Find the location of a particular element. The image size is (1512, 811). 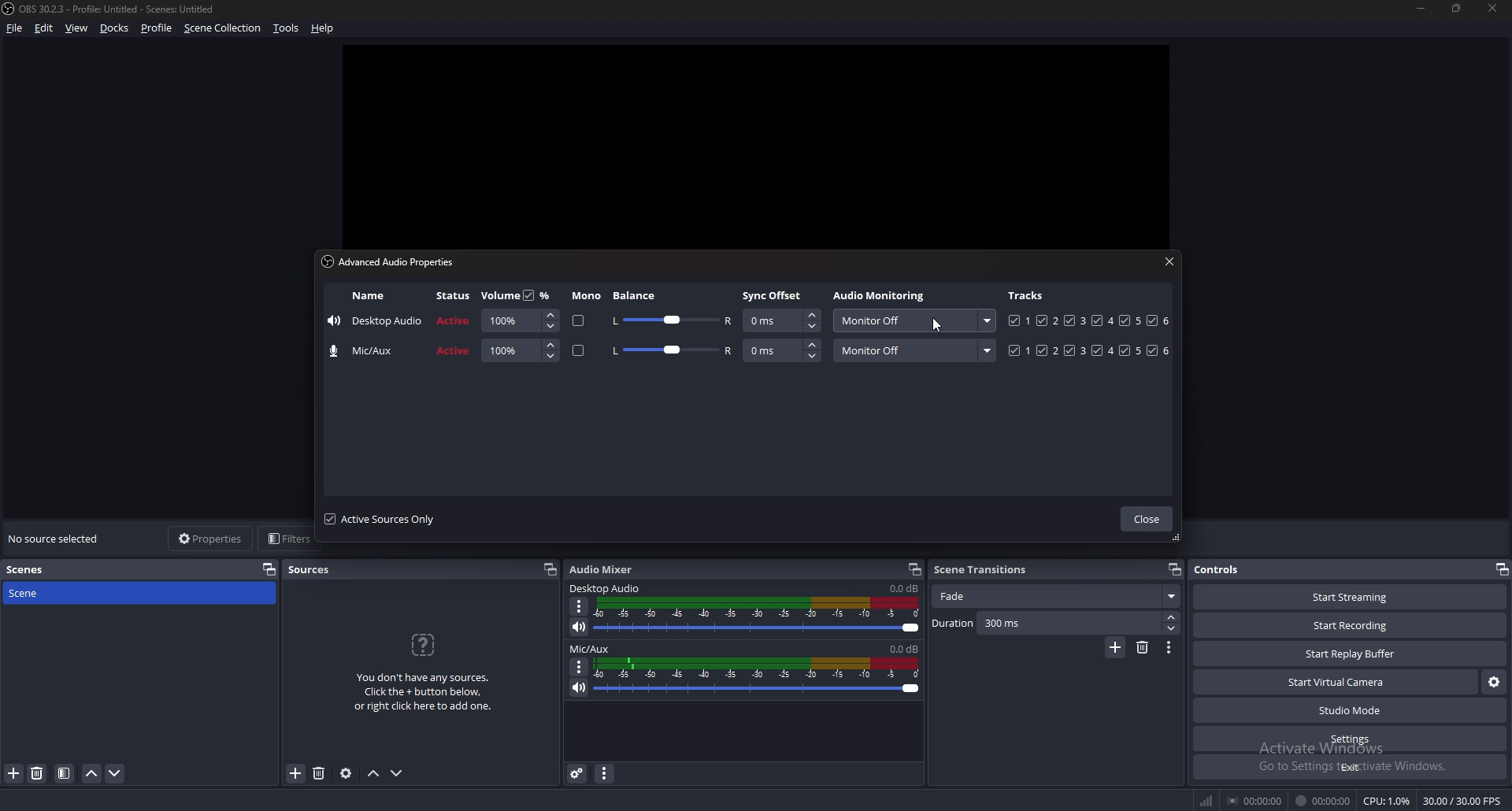

scene transitions is located at coordinates (983, 569).